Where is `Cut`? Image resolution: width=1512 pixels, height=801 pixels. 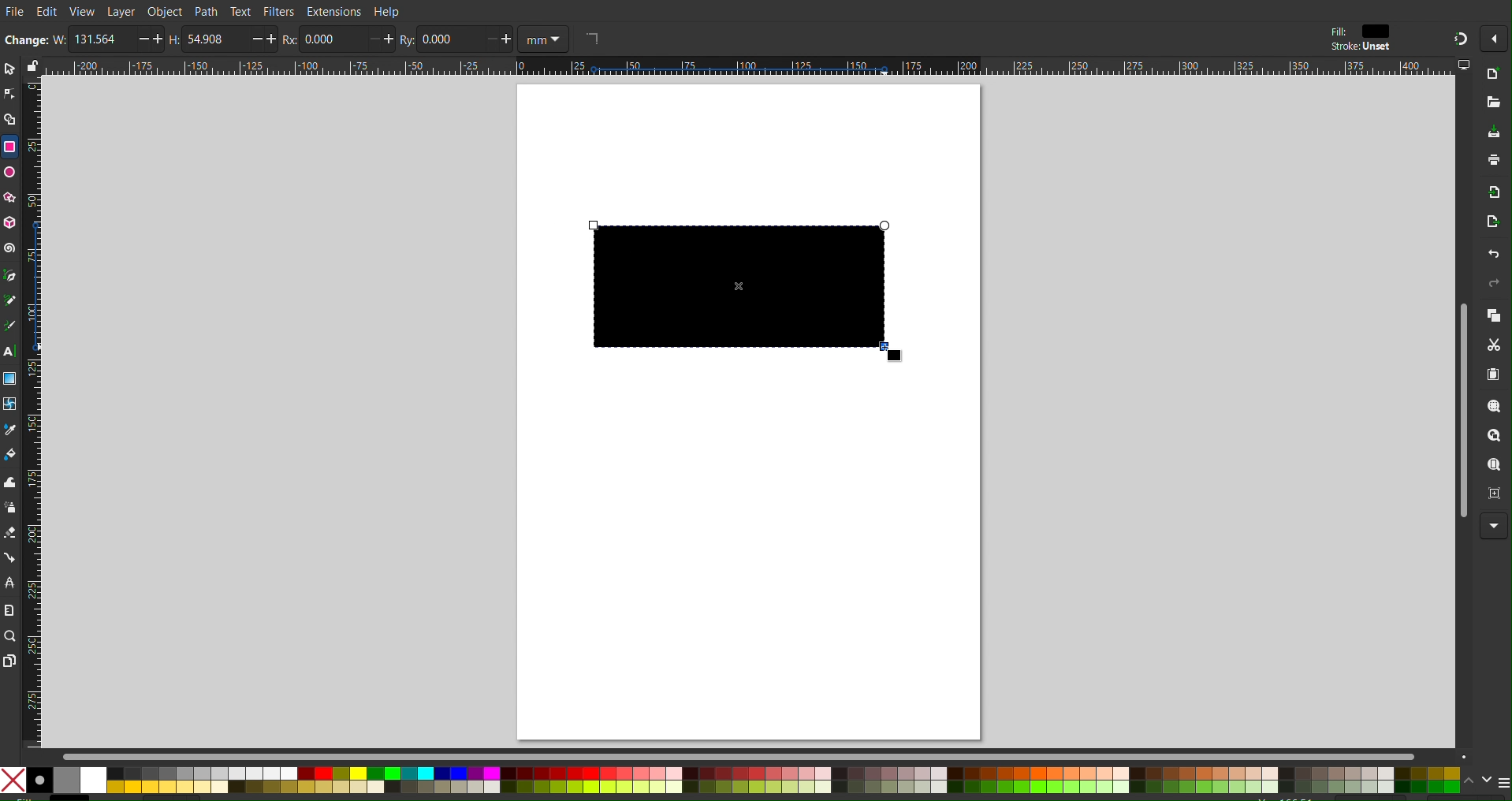 Cut is located at coordinates (1496, 347).